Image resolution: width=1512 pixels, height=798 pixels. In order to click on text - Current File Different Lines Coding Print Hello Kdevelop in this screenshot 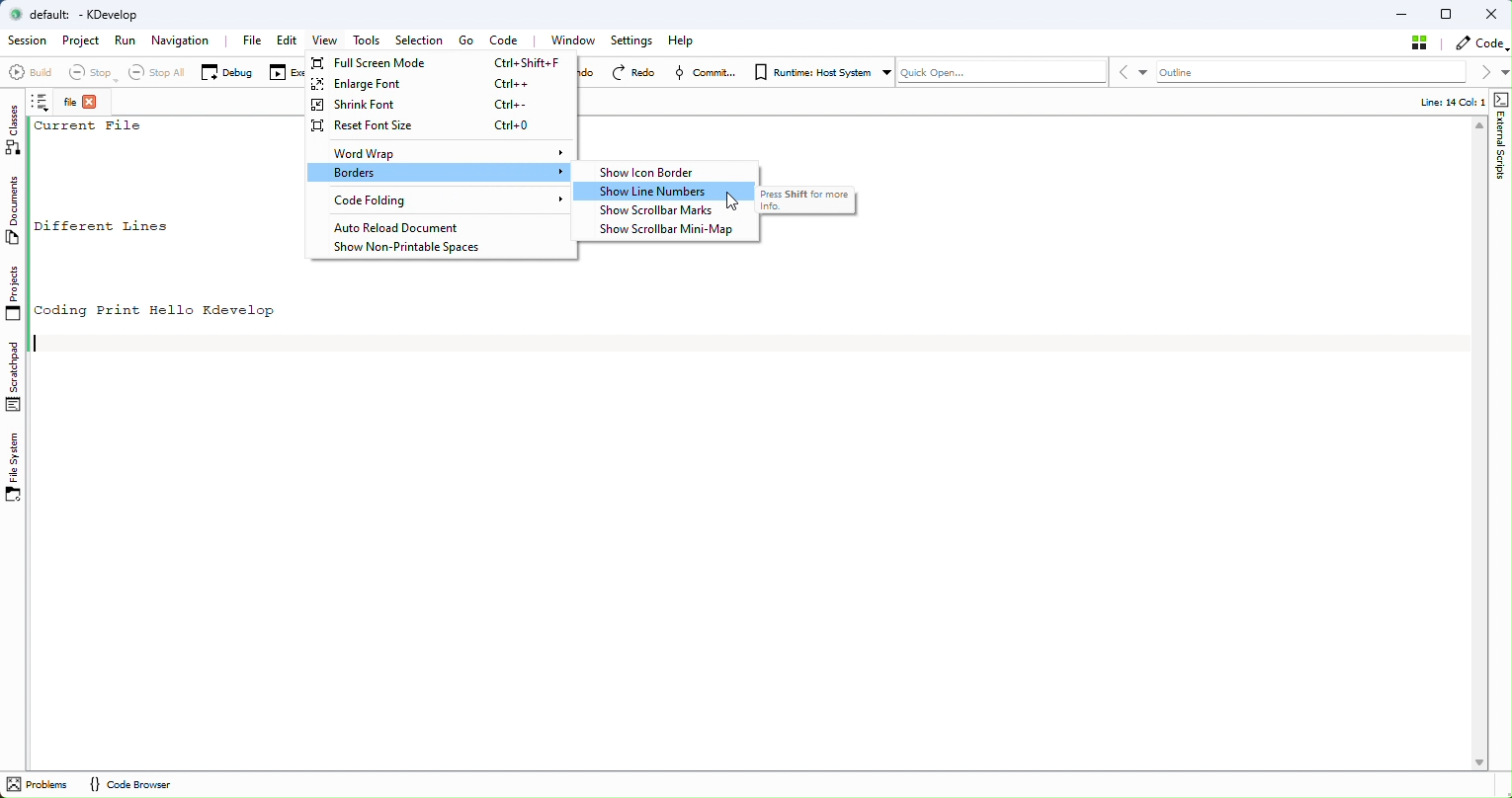, I will do `click(170, 218)`.